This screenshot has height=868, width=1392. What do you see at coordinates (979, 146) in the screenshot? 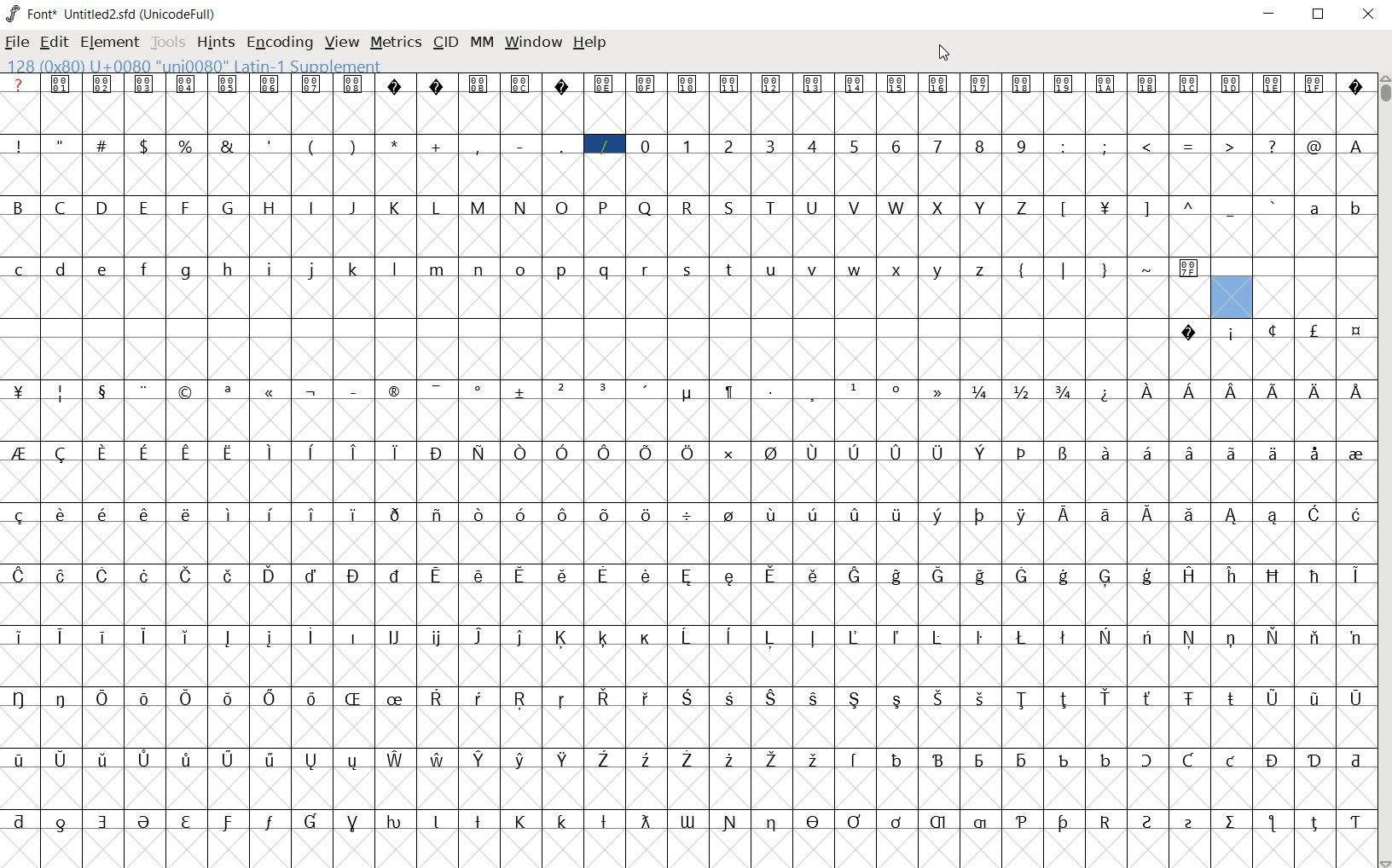
I see `glyph` at bounding box center [979, 146].